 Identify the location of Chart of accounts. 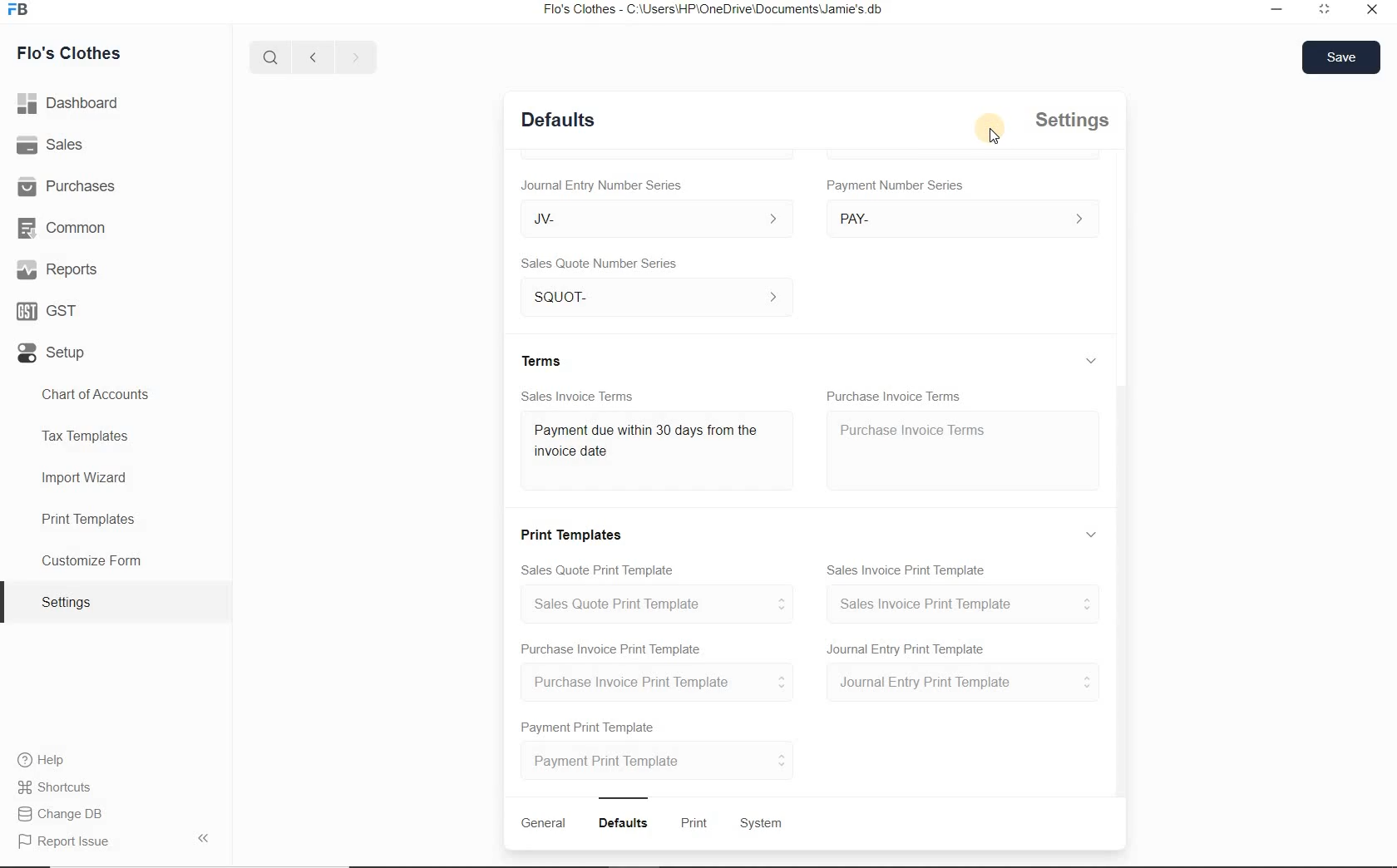
(116, 395).